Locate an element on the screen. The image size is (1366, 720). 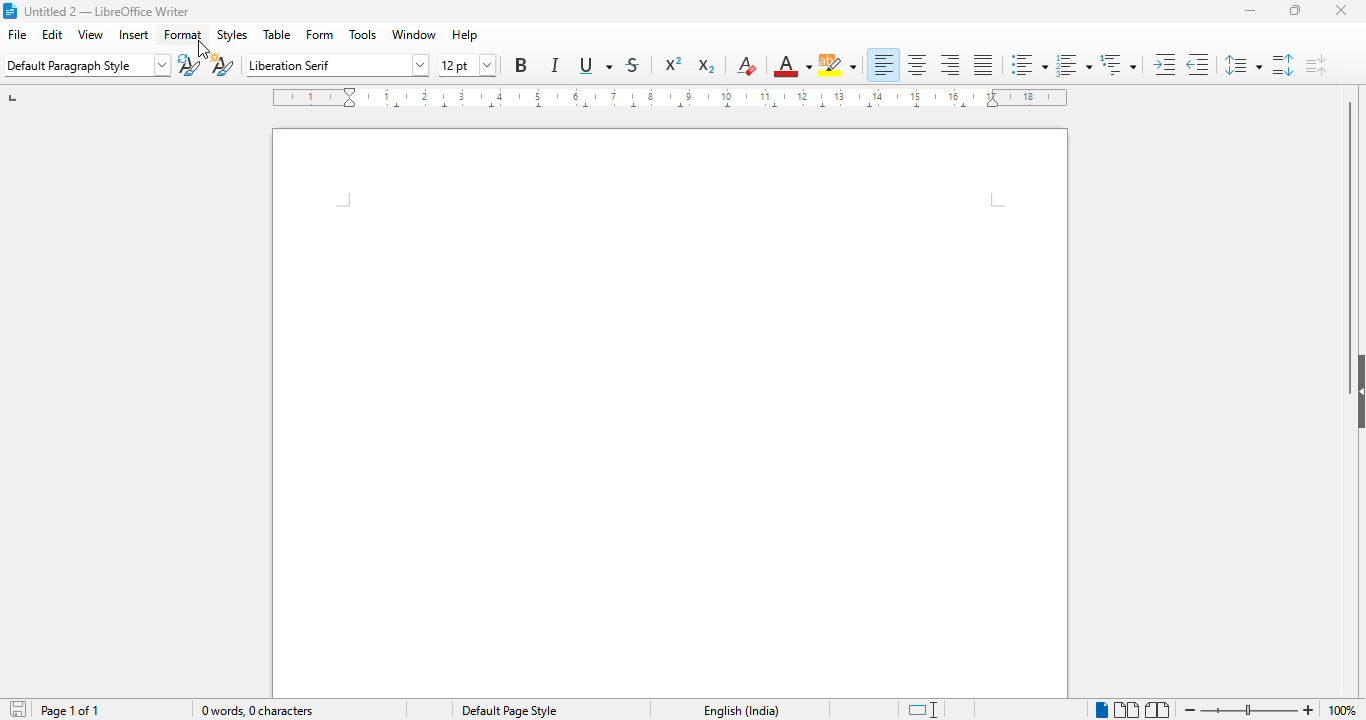
default page style is located at coordinates (509, 711).